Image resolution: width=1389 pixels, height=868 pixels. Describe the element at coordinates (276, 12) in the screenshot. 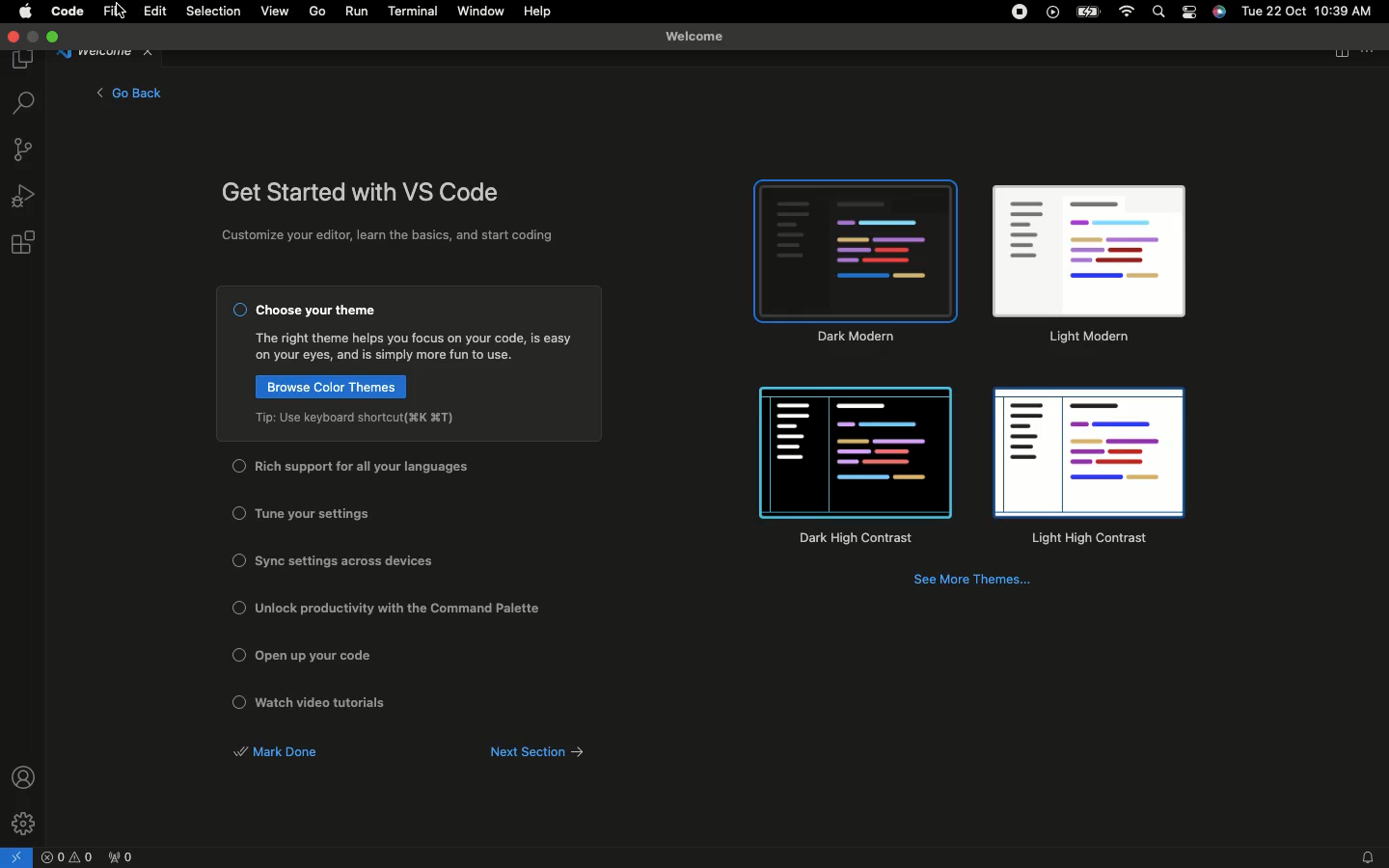

I see `View` at that location.